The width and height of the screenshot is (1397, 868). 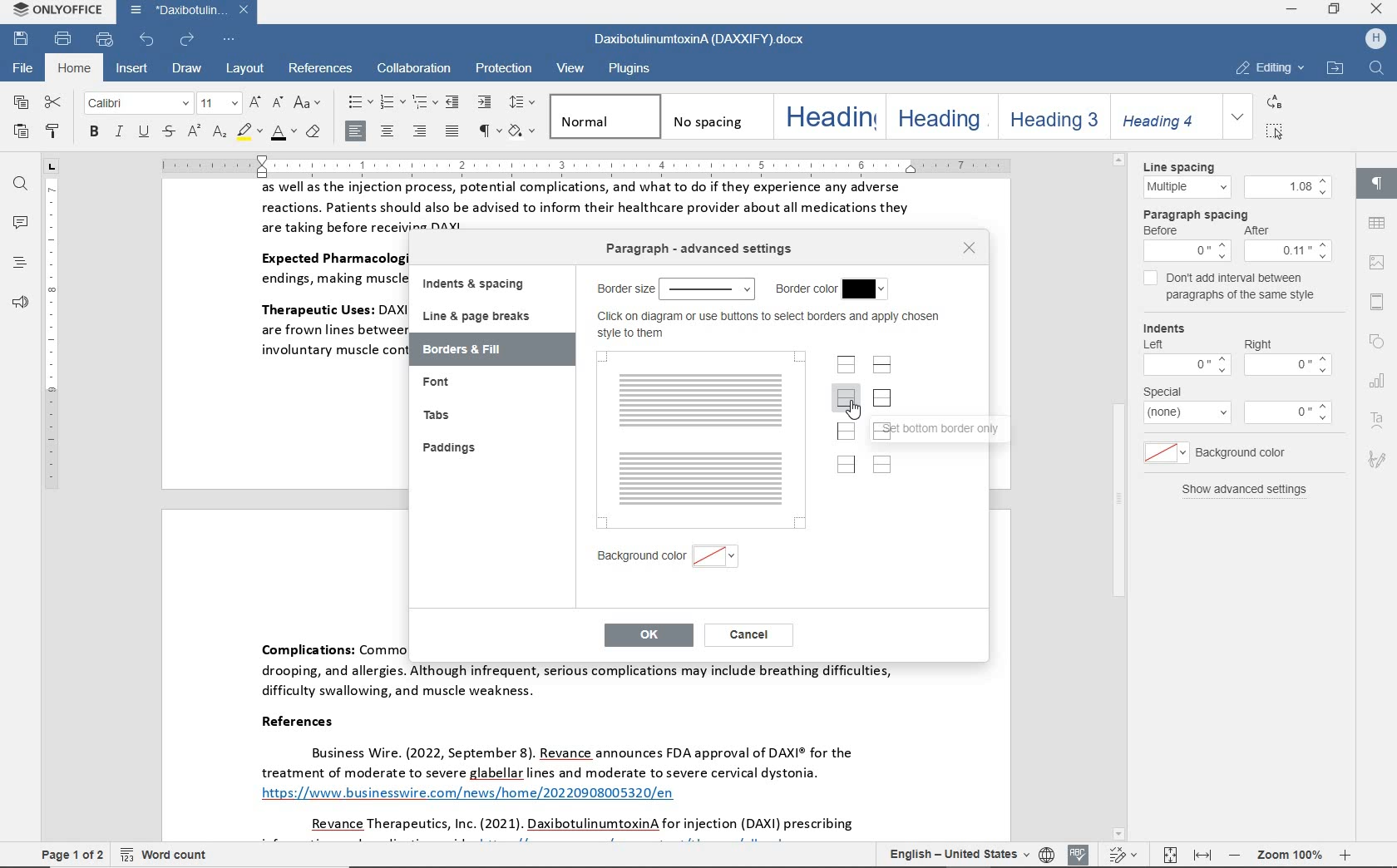 I want to click on line & page breaks, so click(x=486, y=318).